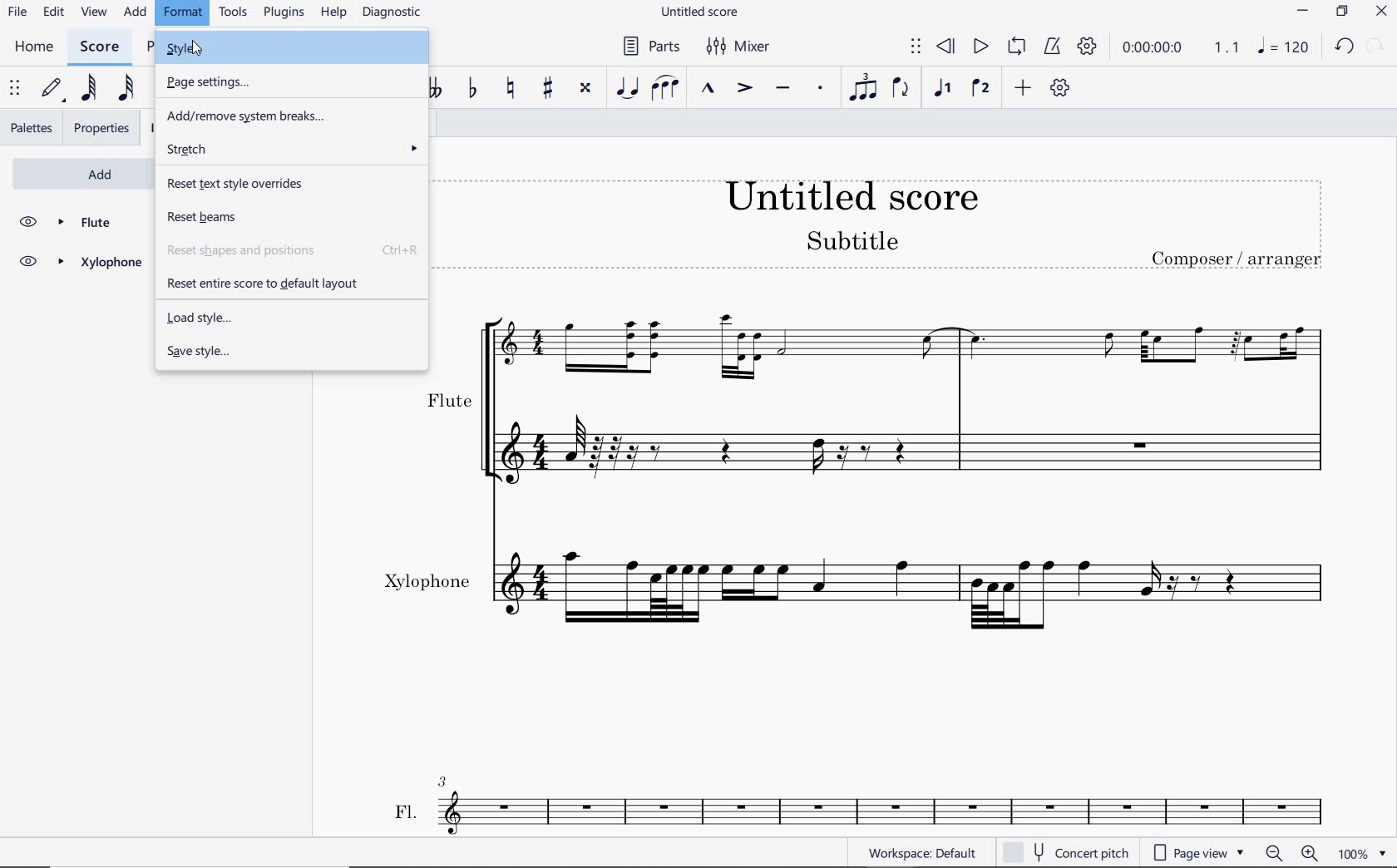  I want to click on Xylophone, so click(866, 588).